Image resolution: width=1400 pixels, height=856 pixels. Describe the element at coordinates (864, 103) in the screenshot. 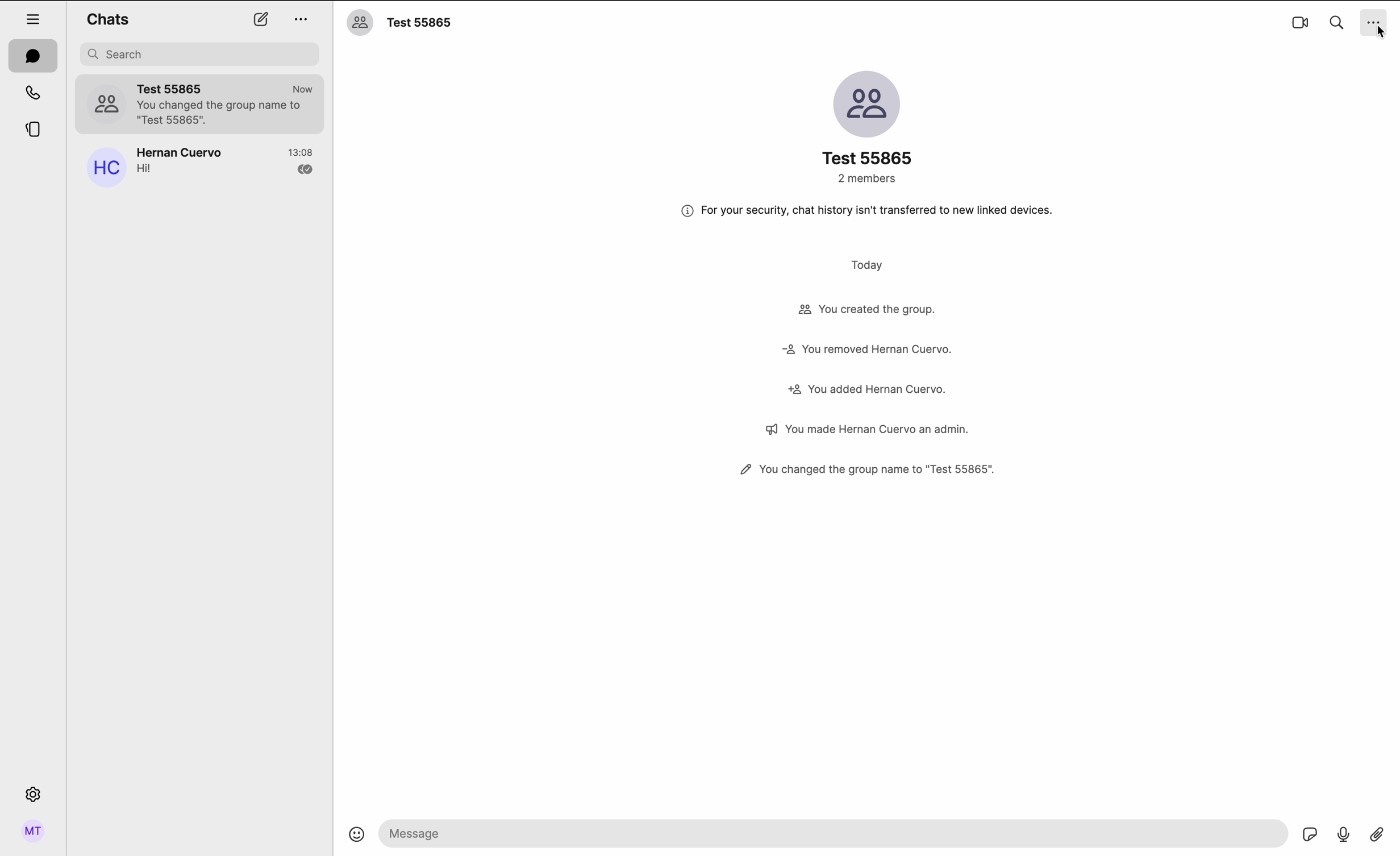

I see `image group` at that location.